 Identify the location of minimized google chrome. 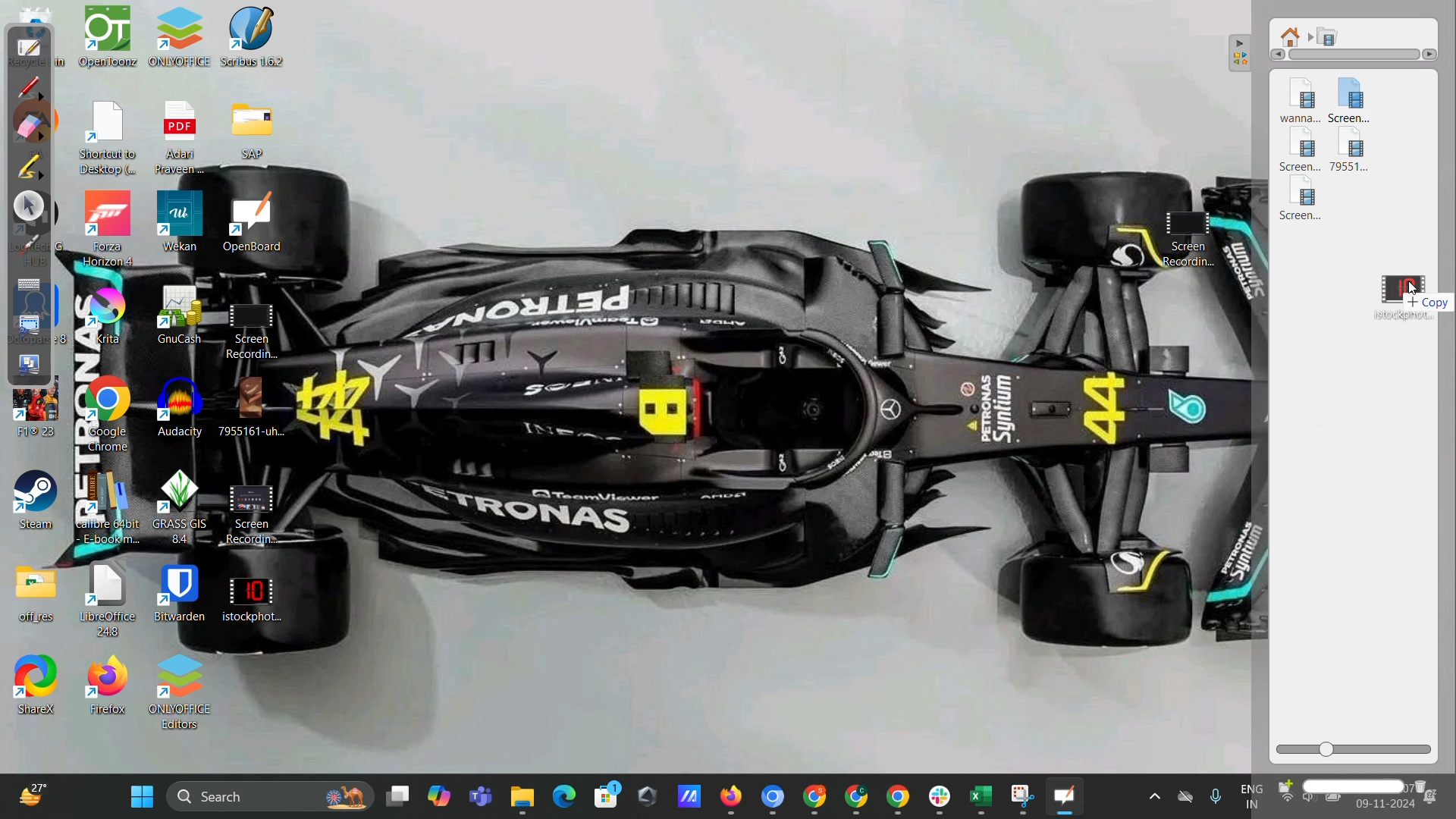
(900, 797).